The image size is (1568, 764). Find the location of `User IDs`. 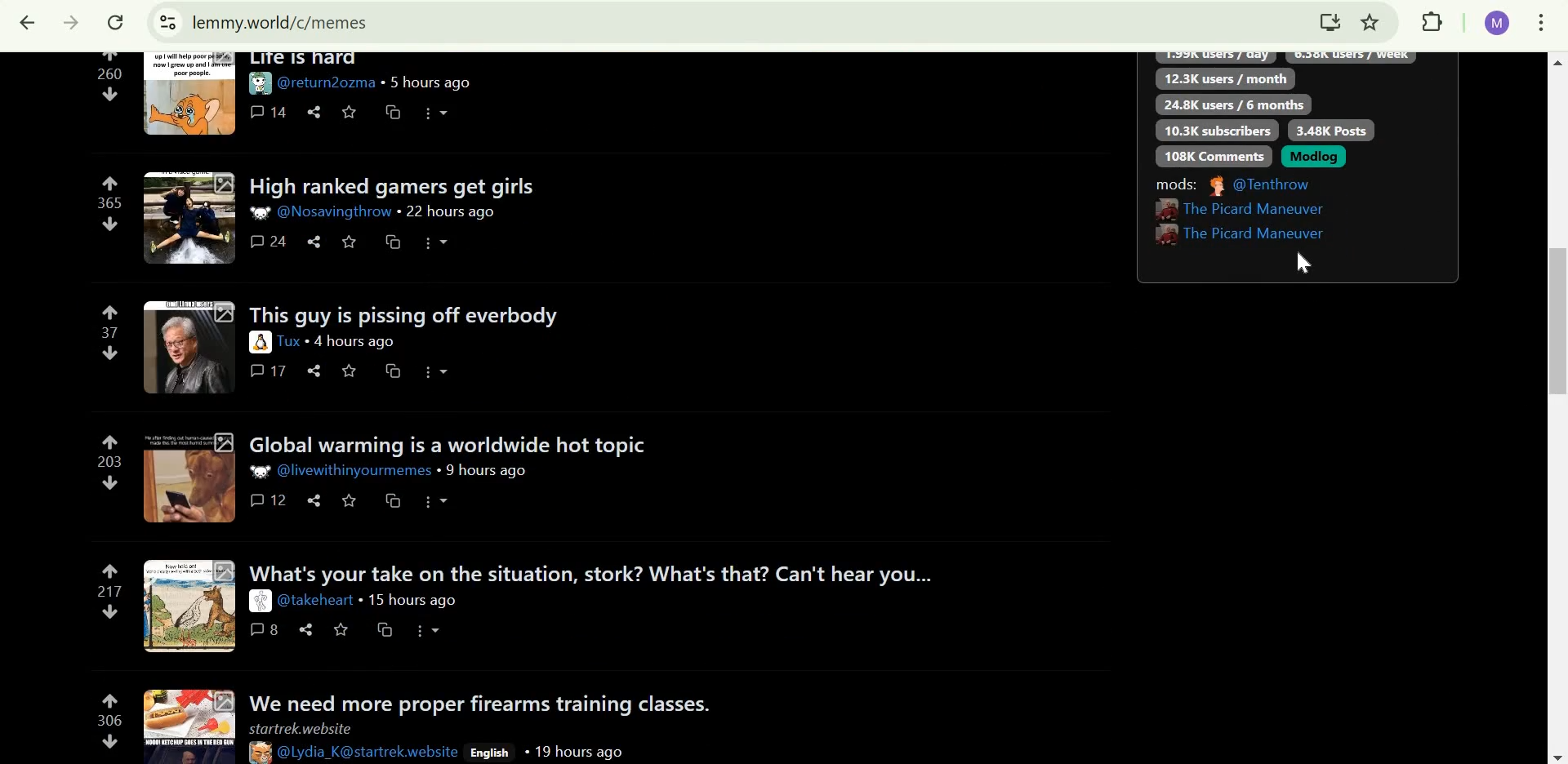

User IDs is located at coordinates (1248, 222).